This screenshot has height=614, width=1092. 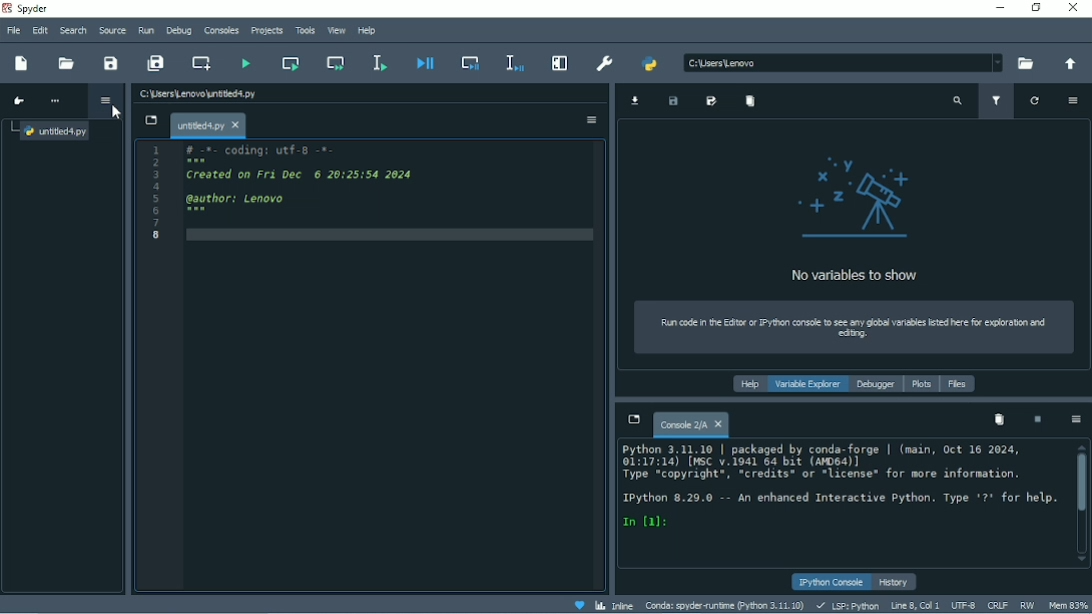 I want to click on CRLF, so click(x=998, y=605).